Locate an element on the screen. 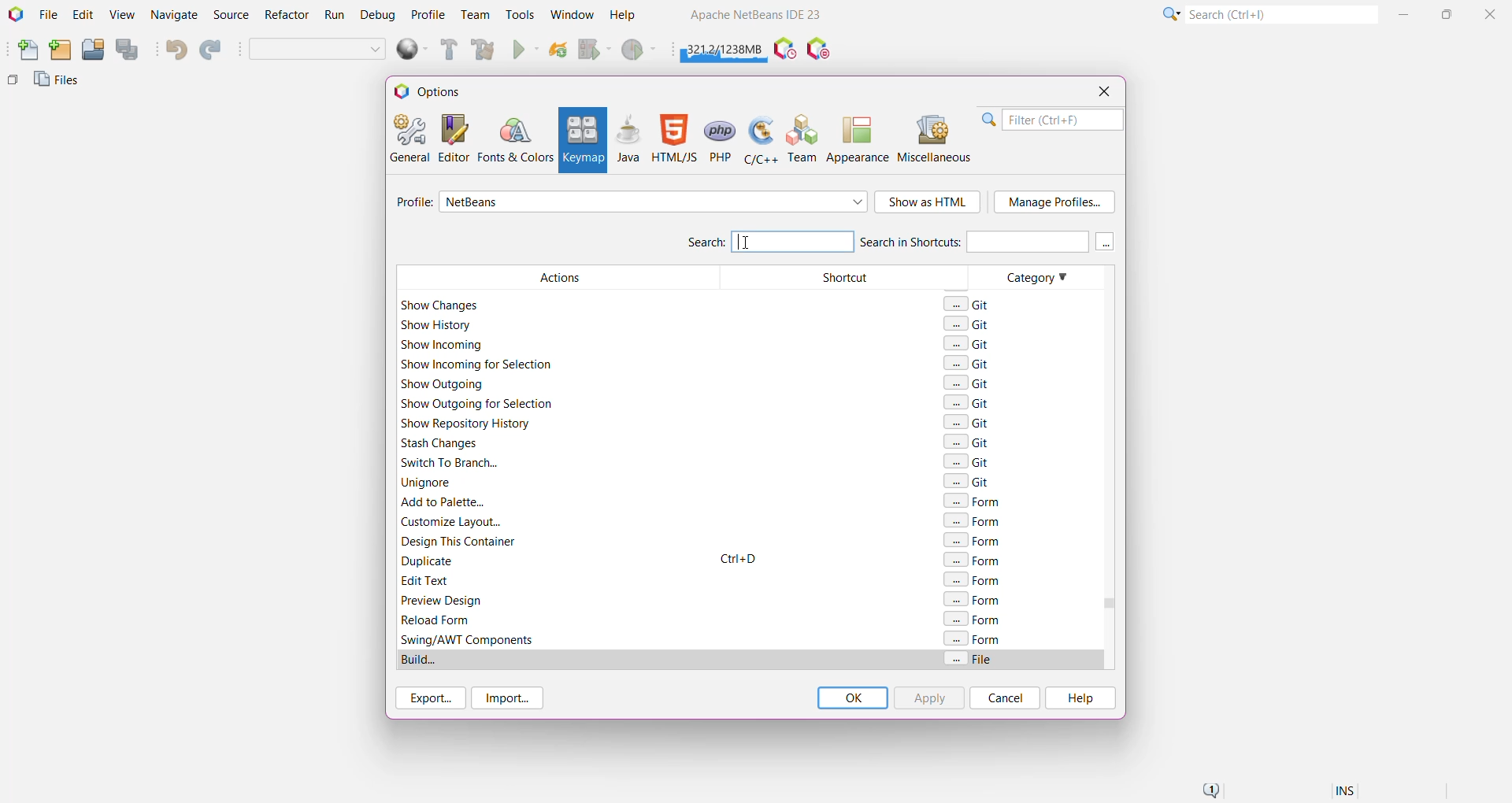 This screenshot has width=1512, height=803. Debug  is located at coordinates (376, 16).